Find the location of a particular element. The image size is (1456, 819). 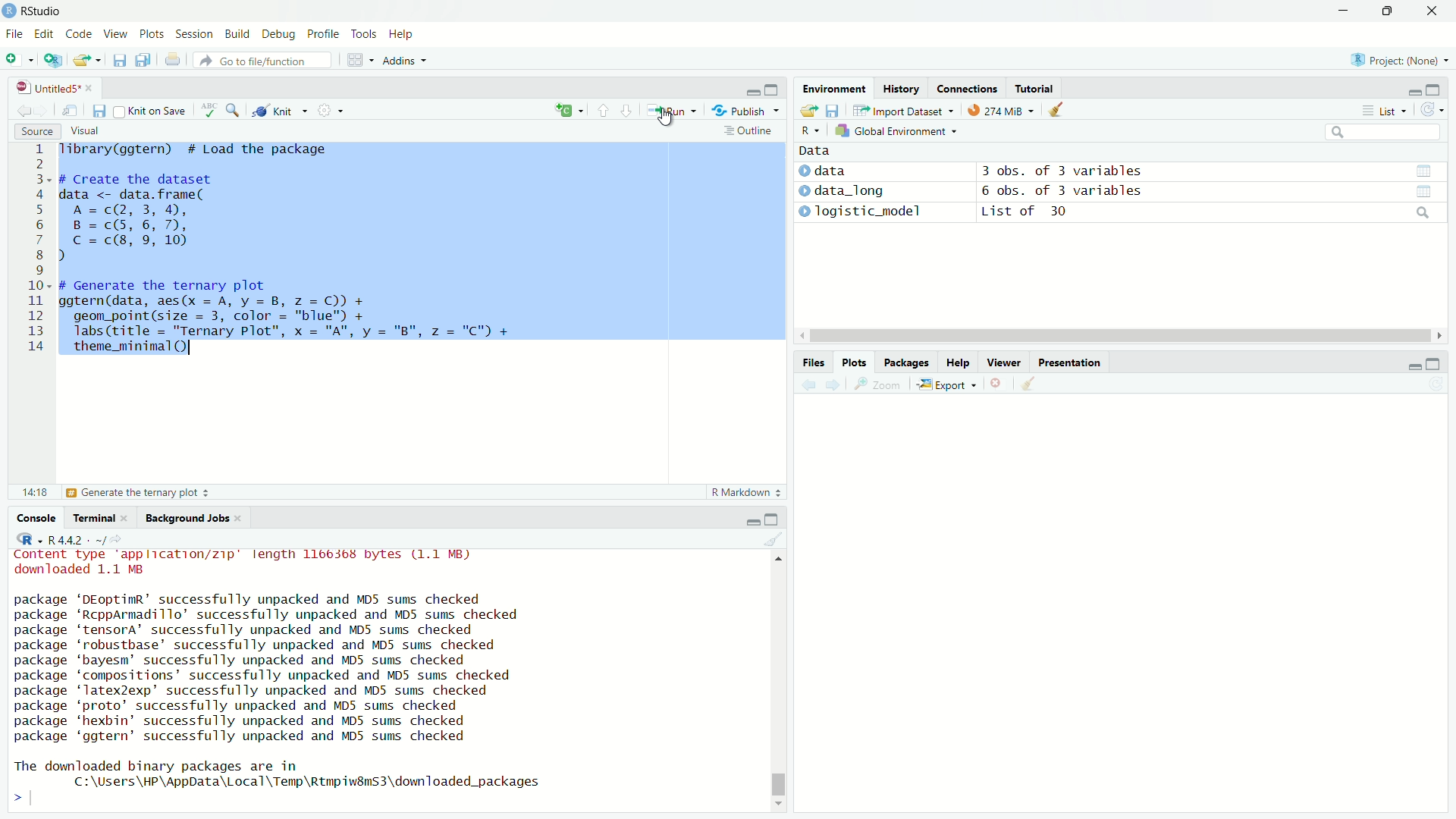

close is located at coordinates (994, 384).